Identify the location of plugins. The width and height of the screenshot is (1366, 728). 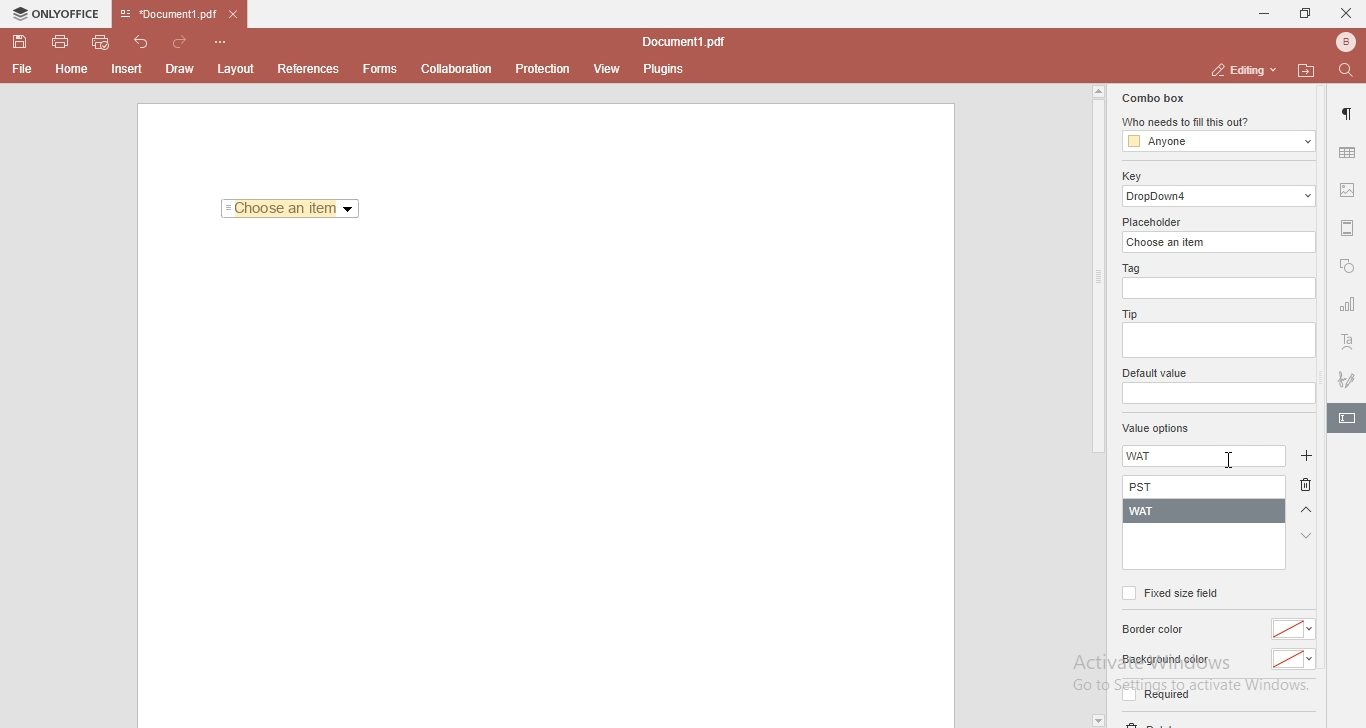
(664, 70).